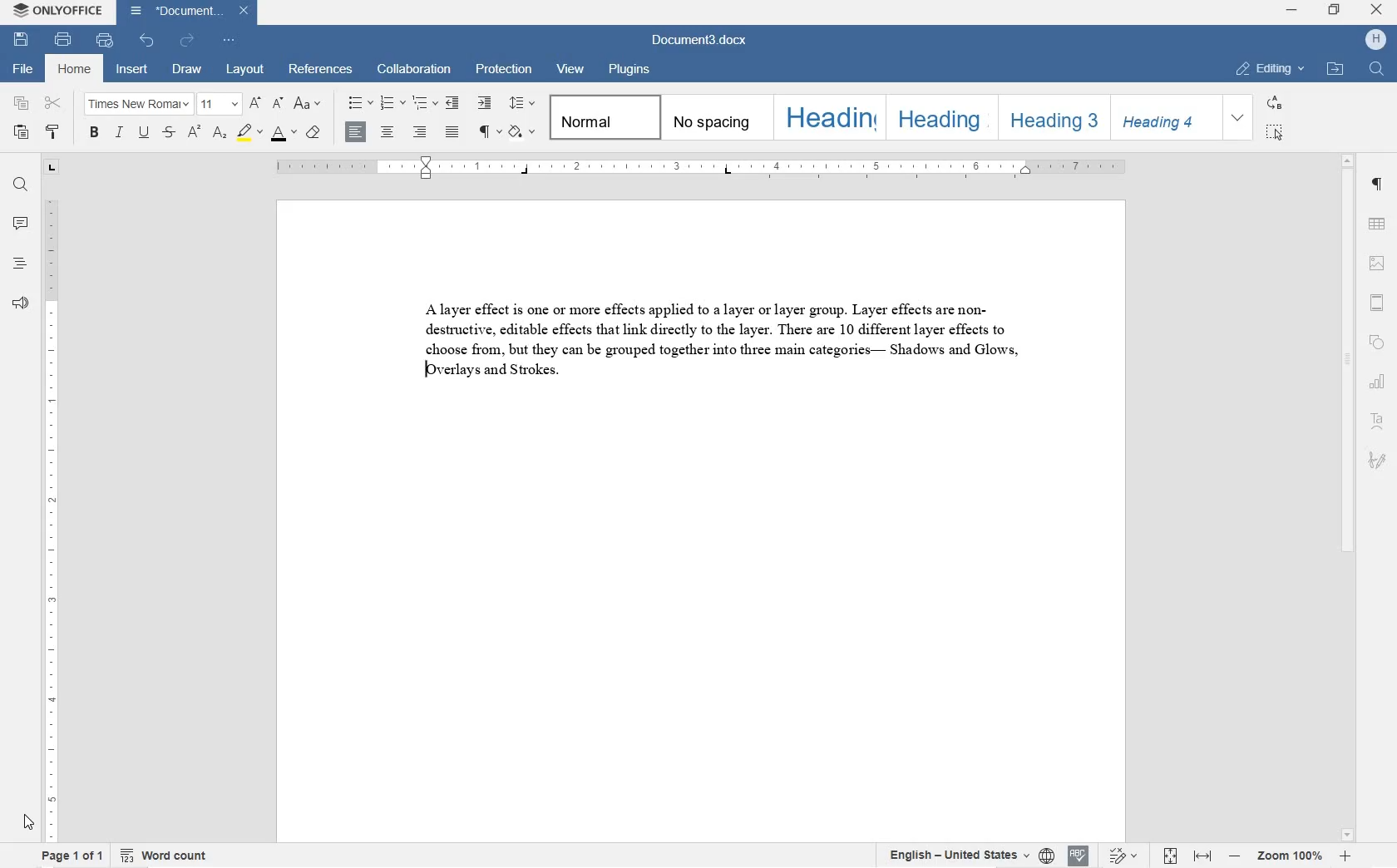 The width and height of the screenshot is (1397, 868). Describe the element at coordinates (453, 105) in the screenshot. I see `DECREASE INDENT` at that location.